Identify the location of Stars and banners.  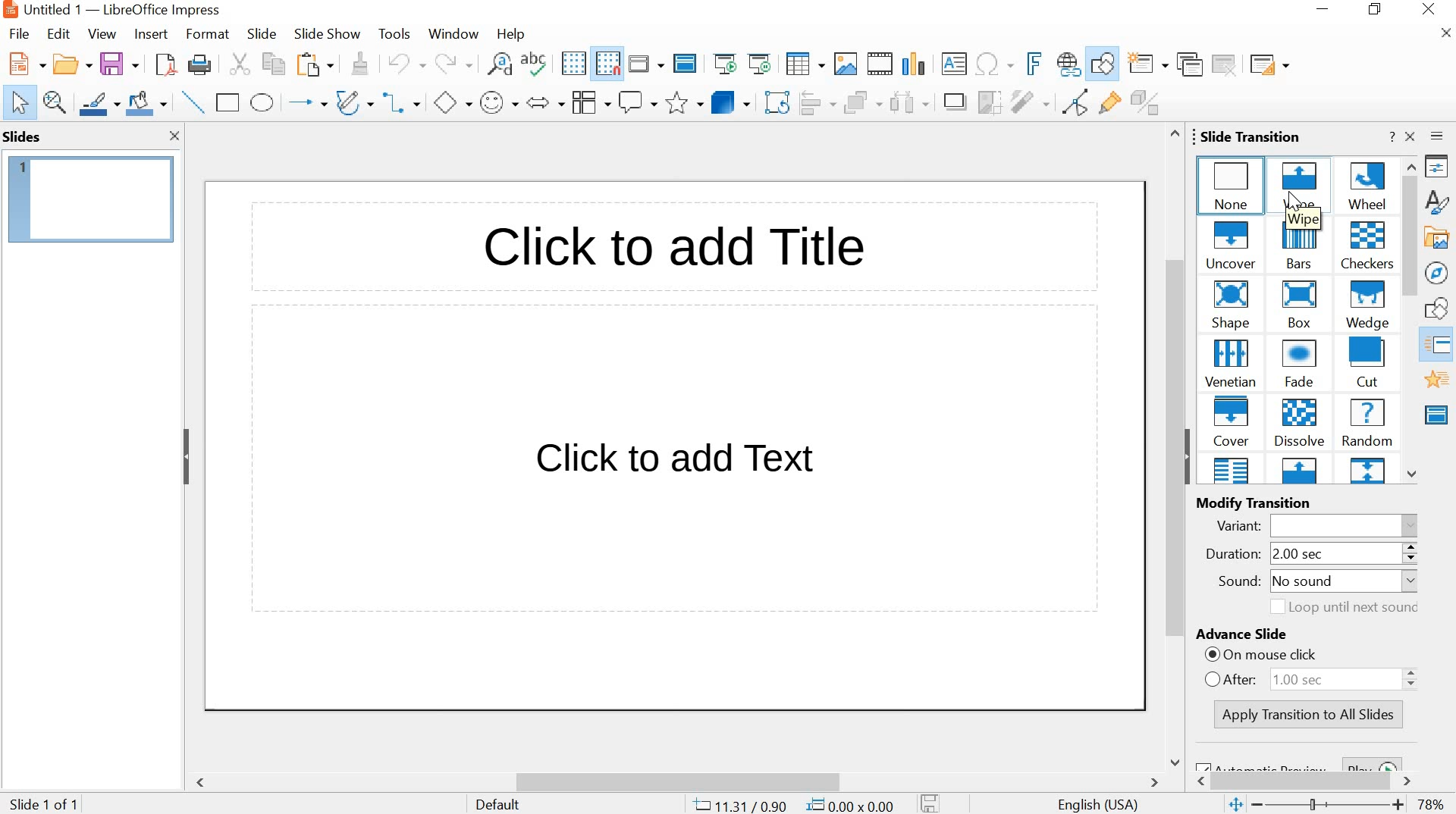
(683, 104).